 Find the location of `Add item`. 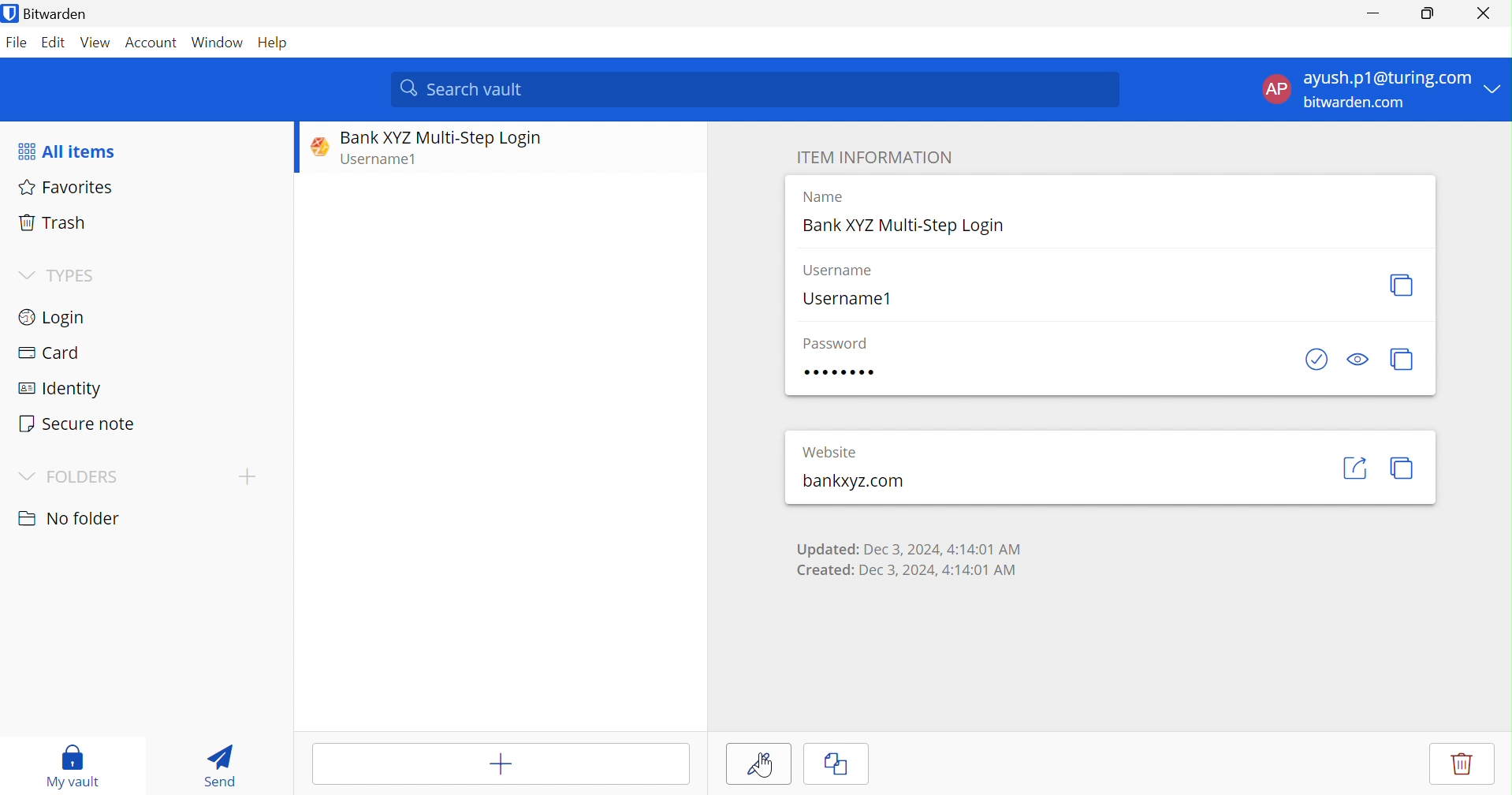

Add item is located at coordinates (501, 764).